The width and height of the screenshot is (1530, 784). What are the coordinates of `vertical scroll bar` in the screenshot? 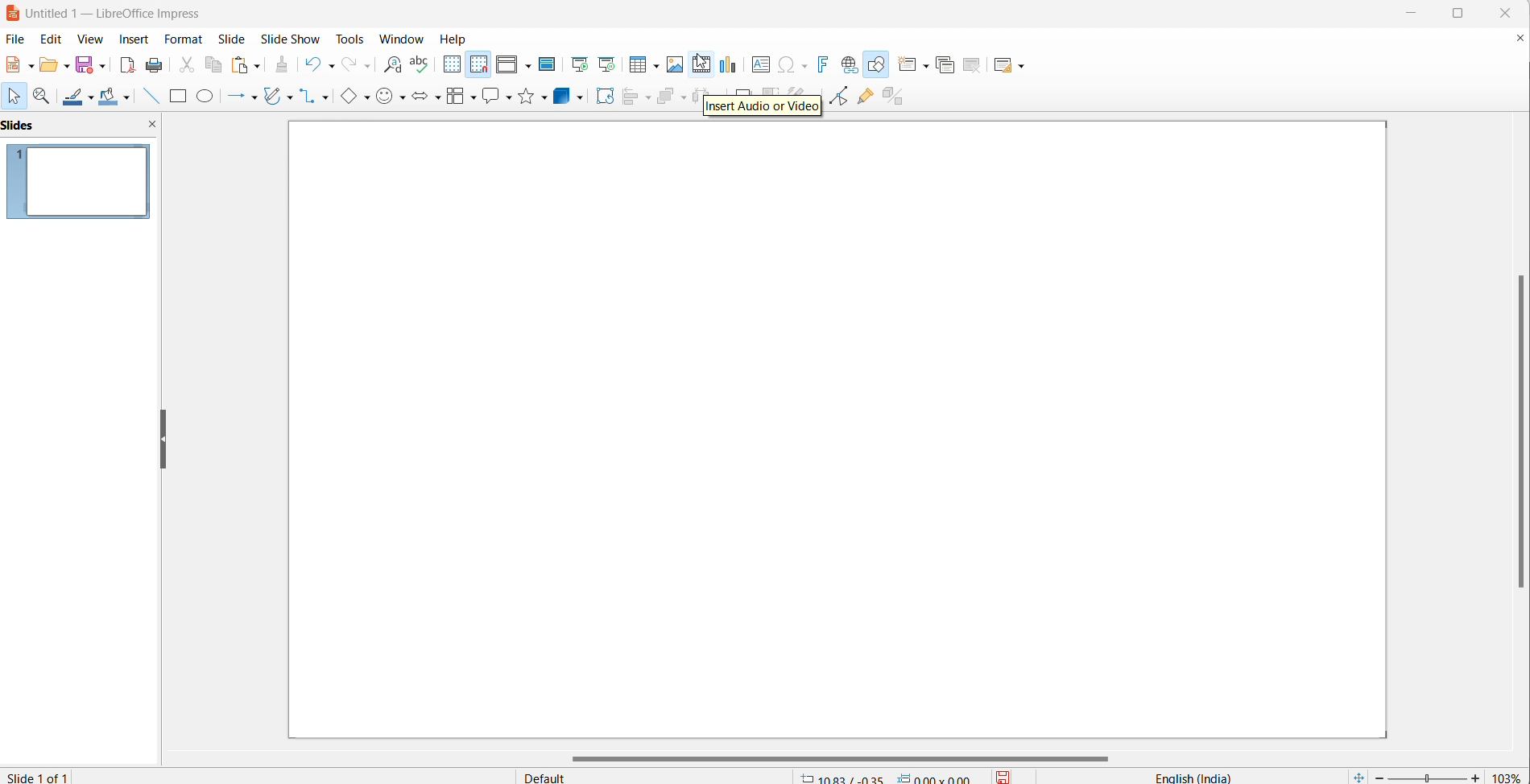 It's located at (1520, 435).